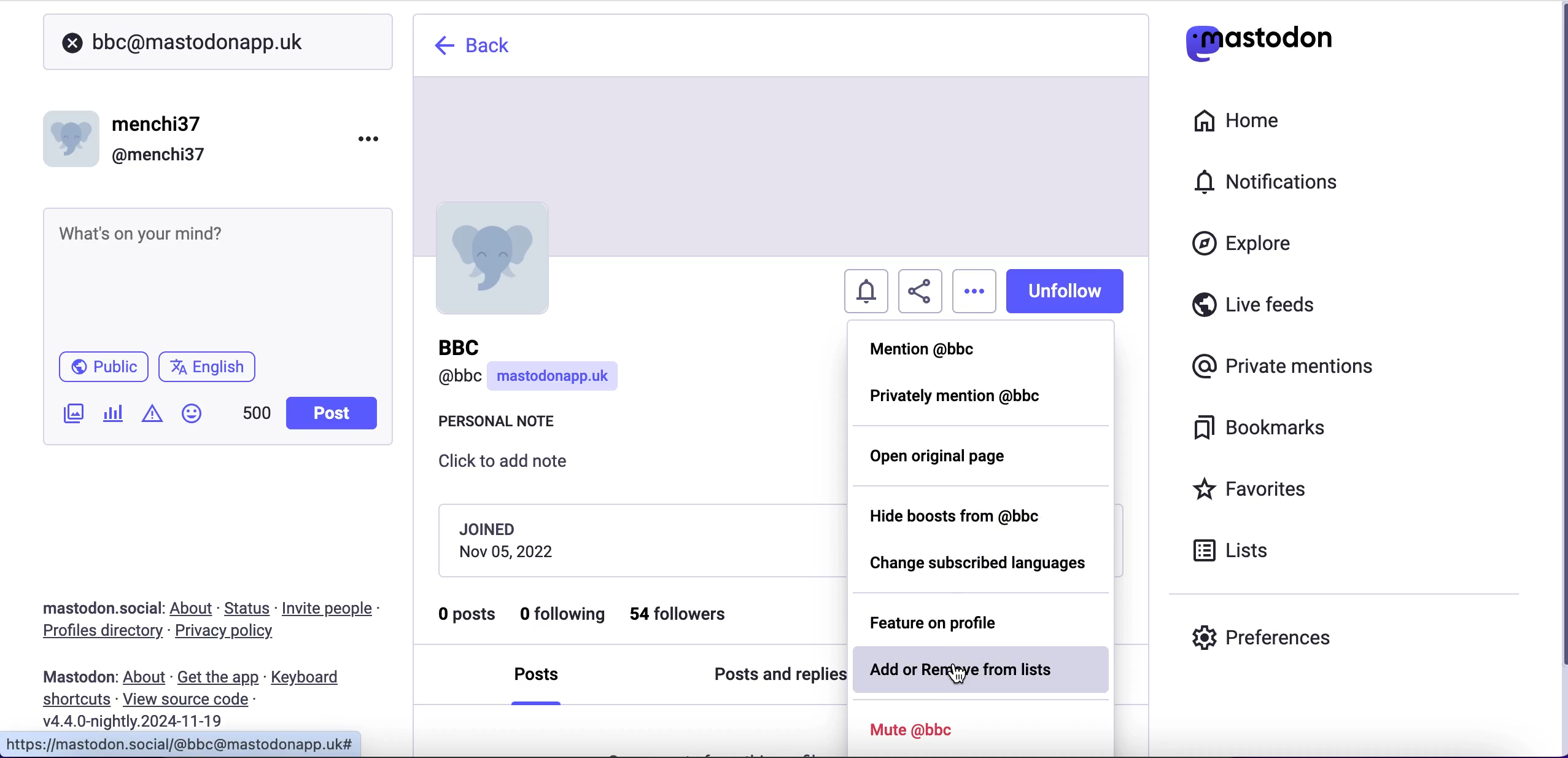 Image resolution: width=1568 pixels, height=758 pixels. Describe the element at coordinates (86, 609) in the screenshot. I see `mastodon social` at that location.